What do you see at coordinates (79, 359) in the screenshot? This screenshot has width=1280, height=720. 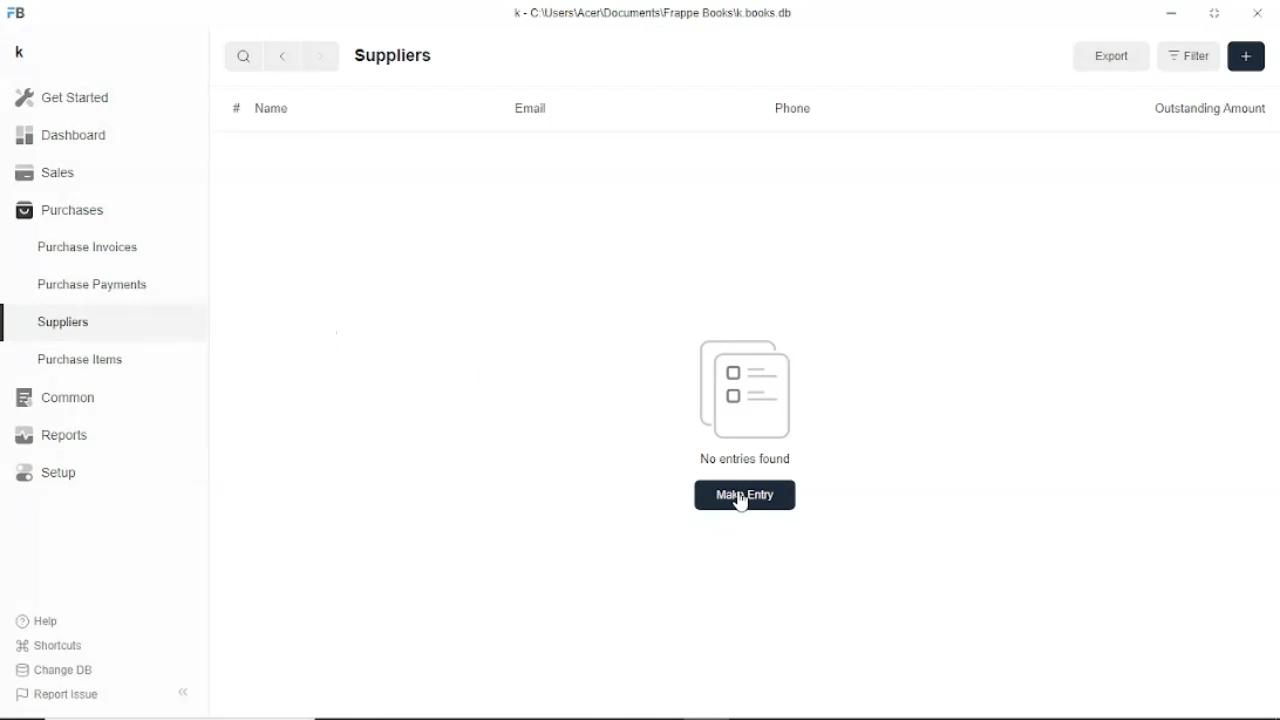 I see `Purchase items` at bounding box center [79, 359].